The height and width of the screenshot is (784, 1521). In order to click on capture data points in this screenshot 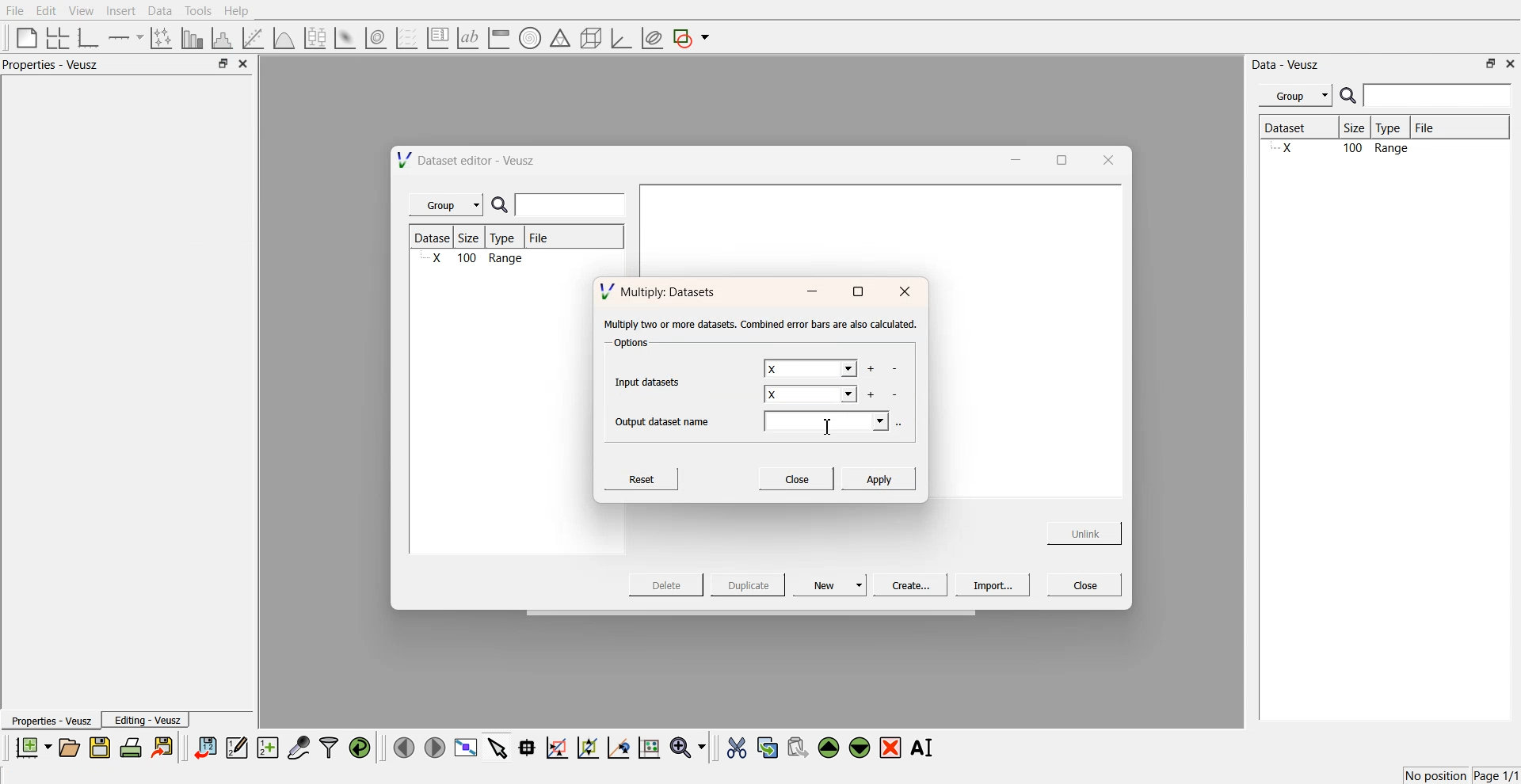, I will do `click(299, 748)`.